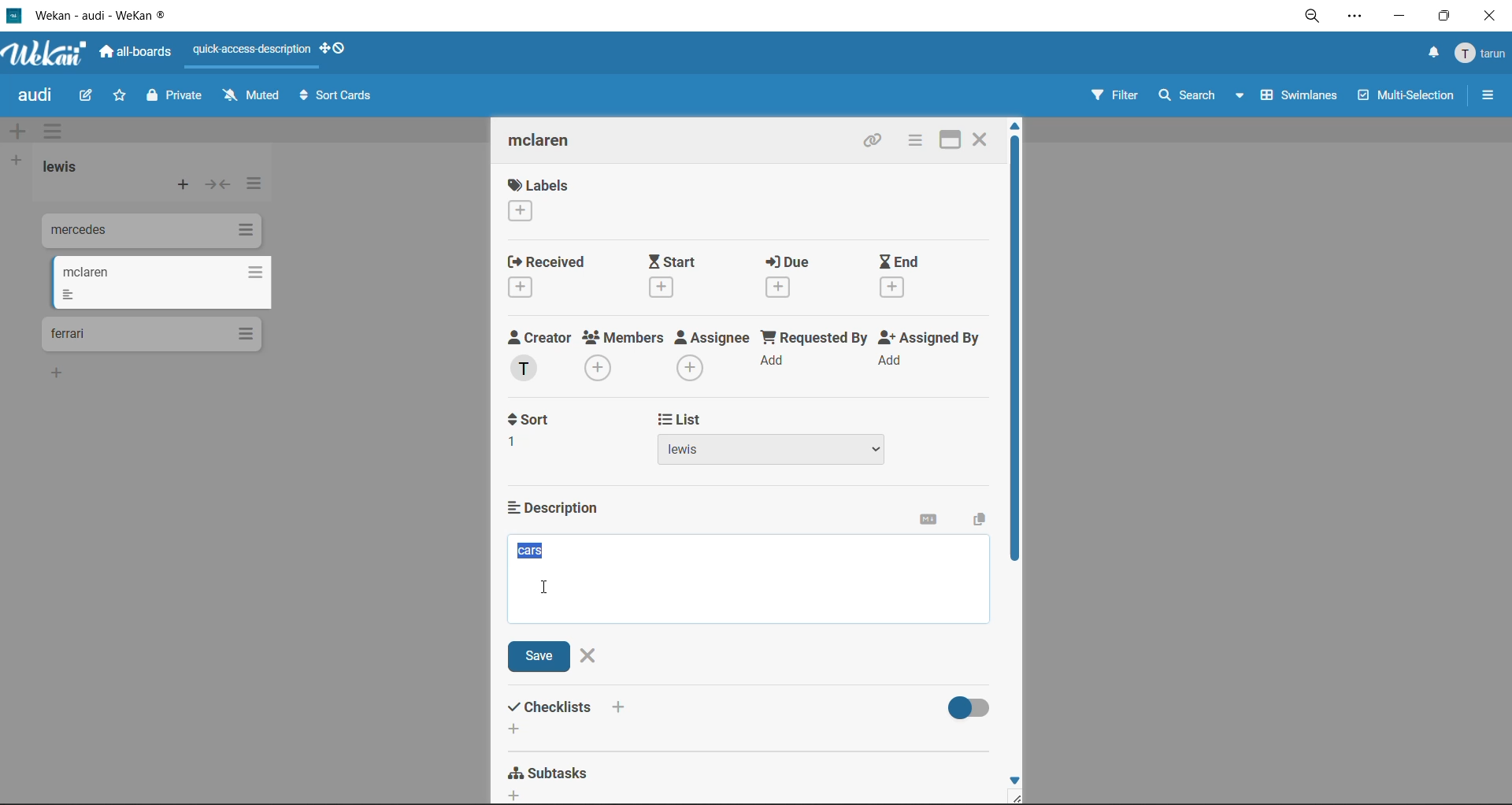 The image size is (1512, 805). What do you see at coordinates (1448, 15) in the screenshot?
I see `maximize` at bounding box center [1448, 15].